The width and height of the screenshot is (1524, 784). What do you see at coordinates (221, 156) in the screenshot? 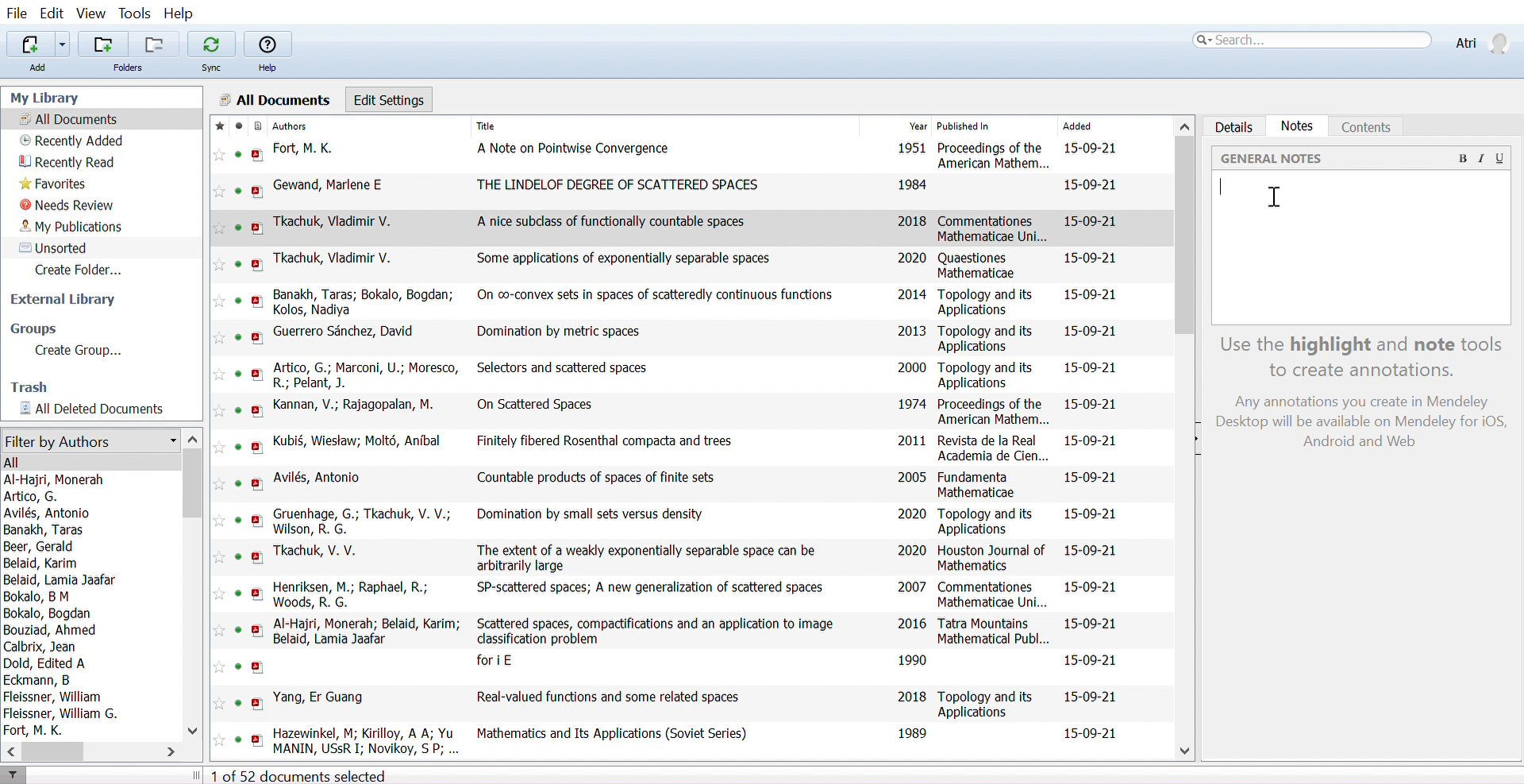
I see `Add this reference to favorites` at bounding box center [221, 156].